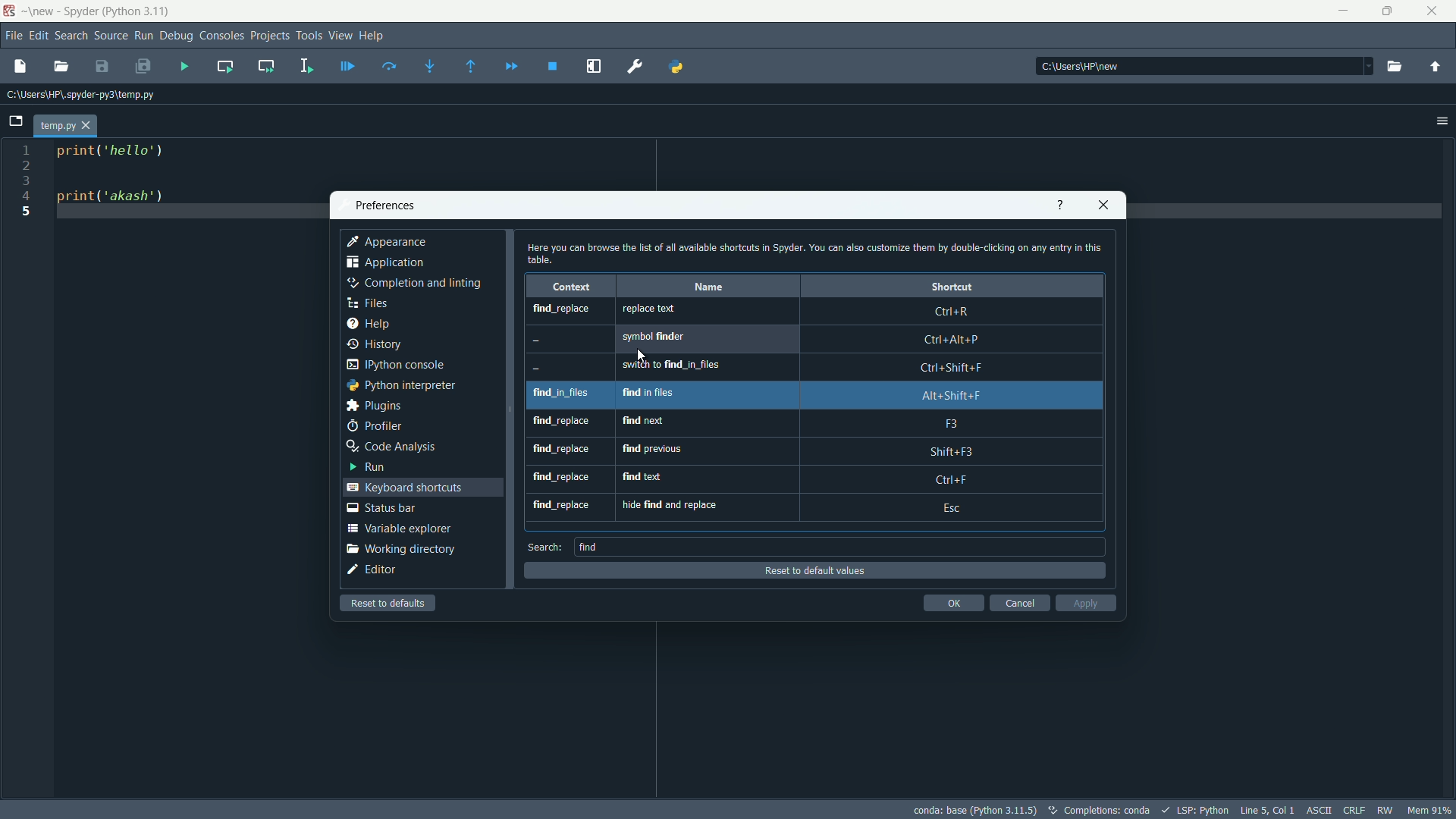 Image resolution: width=1456 pixels, height=819 pixels. Describe the element at coordinates (811, 396) in the screenshot. I see `find_in_files, find in files, alt+shift+f (highlighted)` at that location.